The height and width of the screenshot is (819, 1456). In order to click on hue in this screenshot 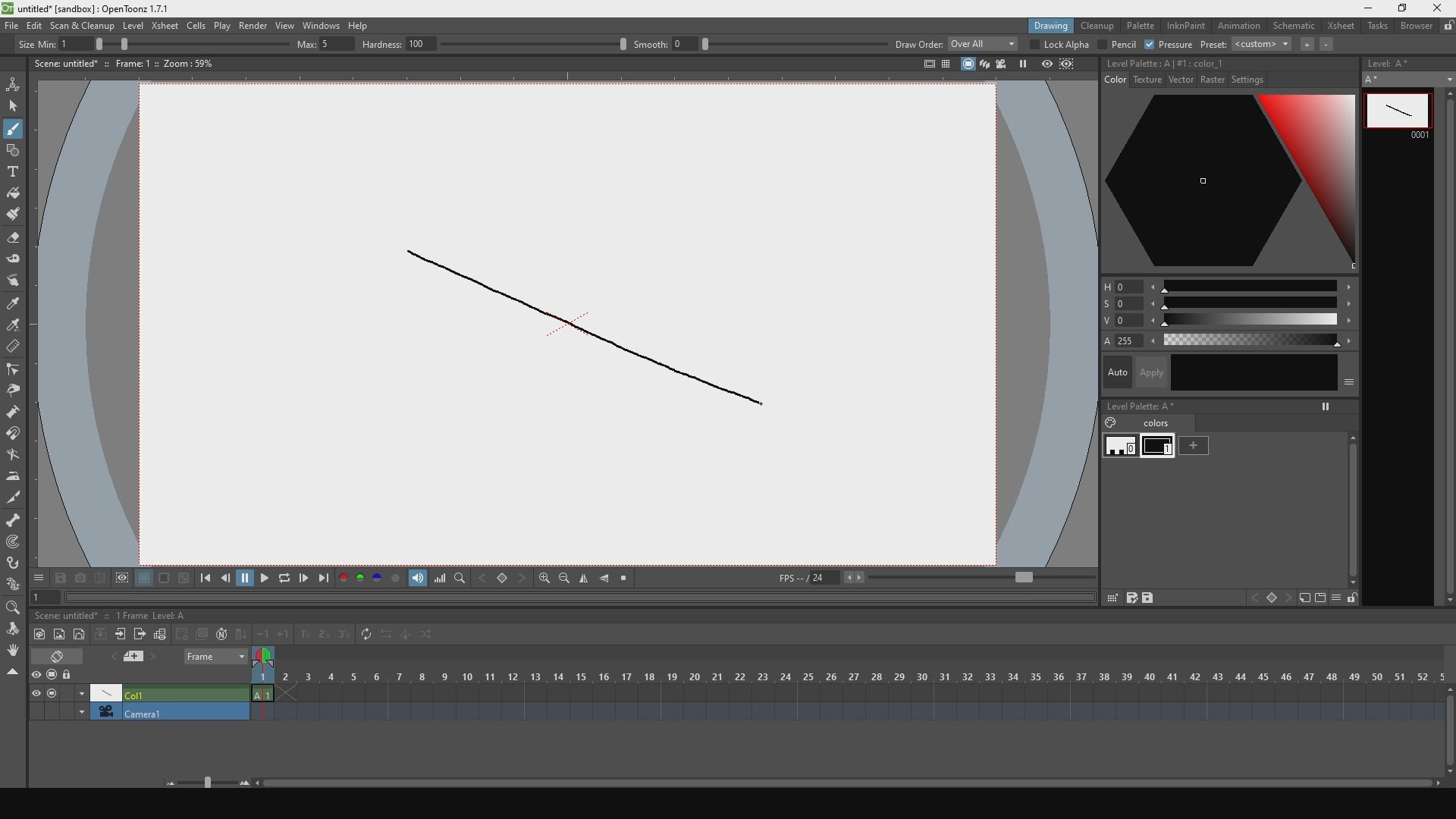, I will do `click(1223, 288)`.